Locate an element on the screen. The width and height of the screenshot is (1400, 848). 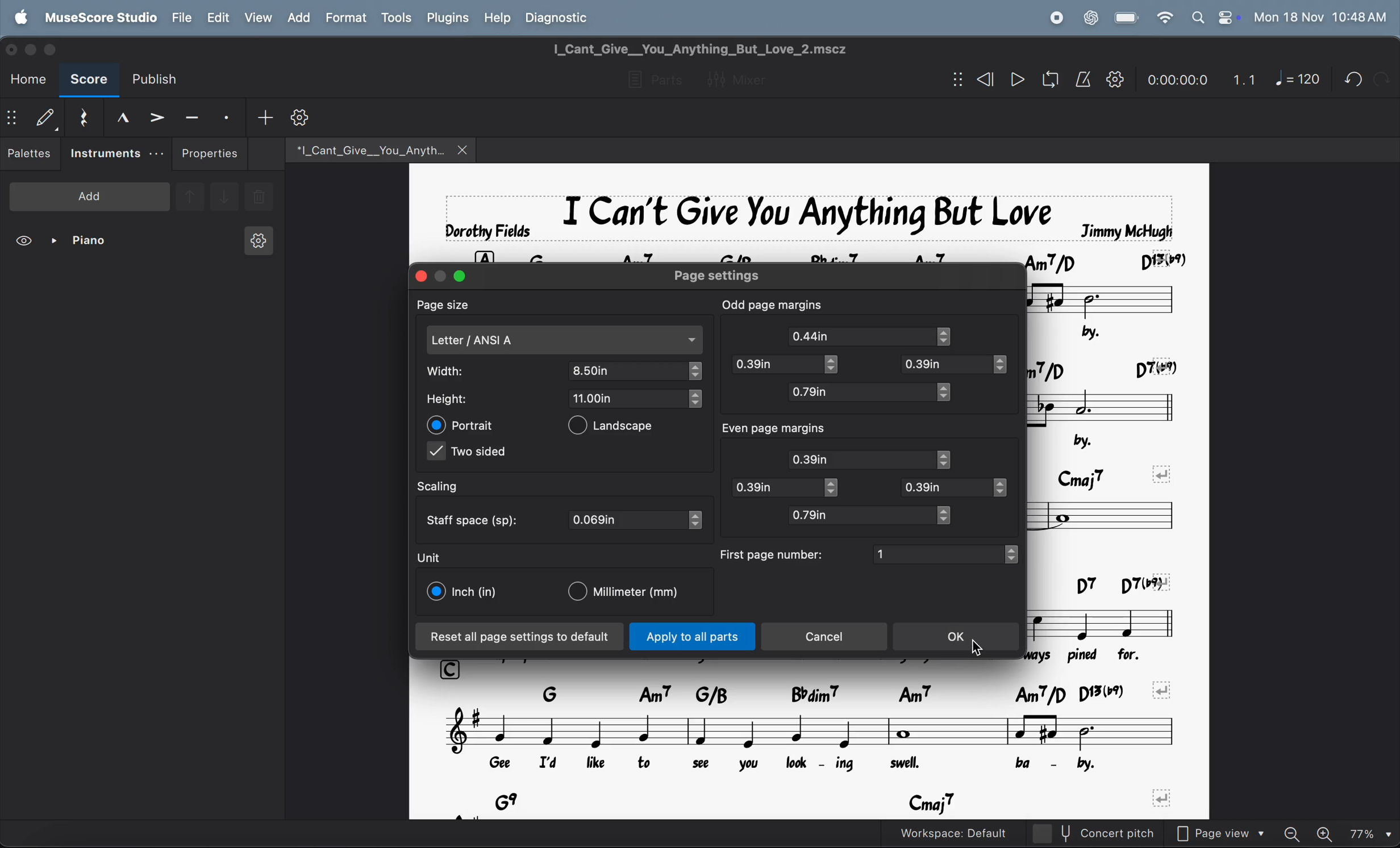
chord symbols is located at coordinates (1108, 364).